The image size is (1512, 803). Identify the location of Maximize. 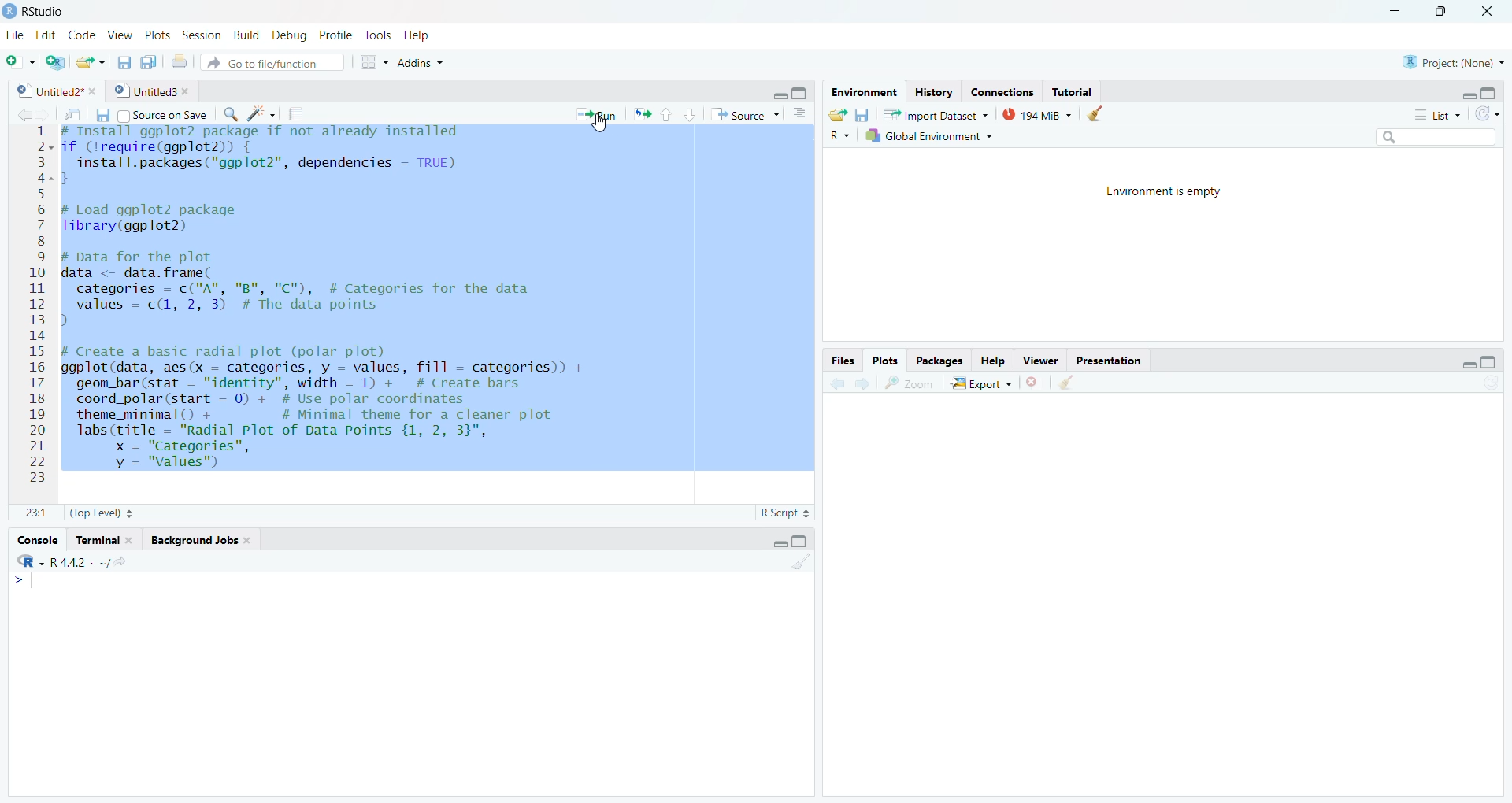
(1492, 92).